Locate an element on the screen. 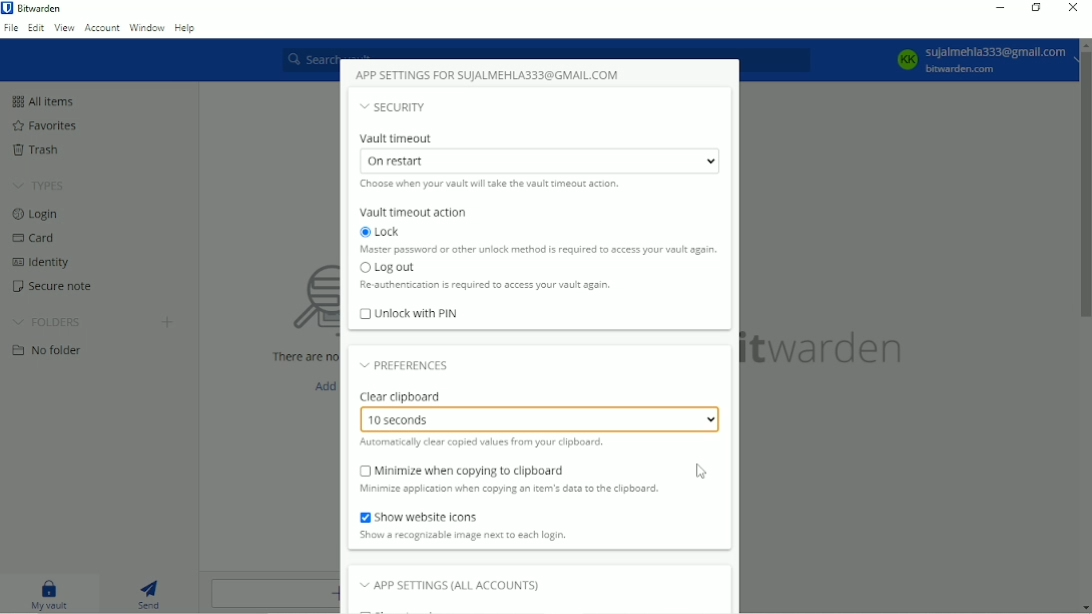 The width and height of the screenshot is (1092, 614). No folder is located at coordinates (54, 350).